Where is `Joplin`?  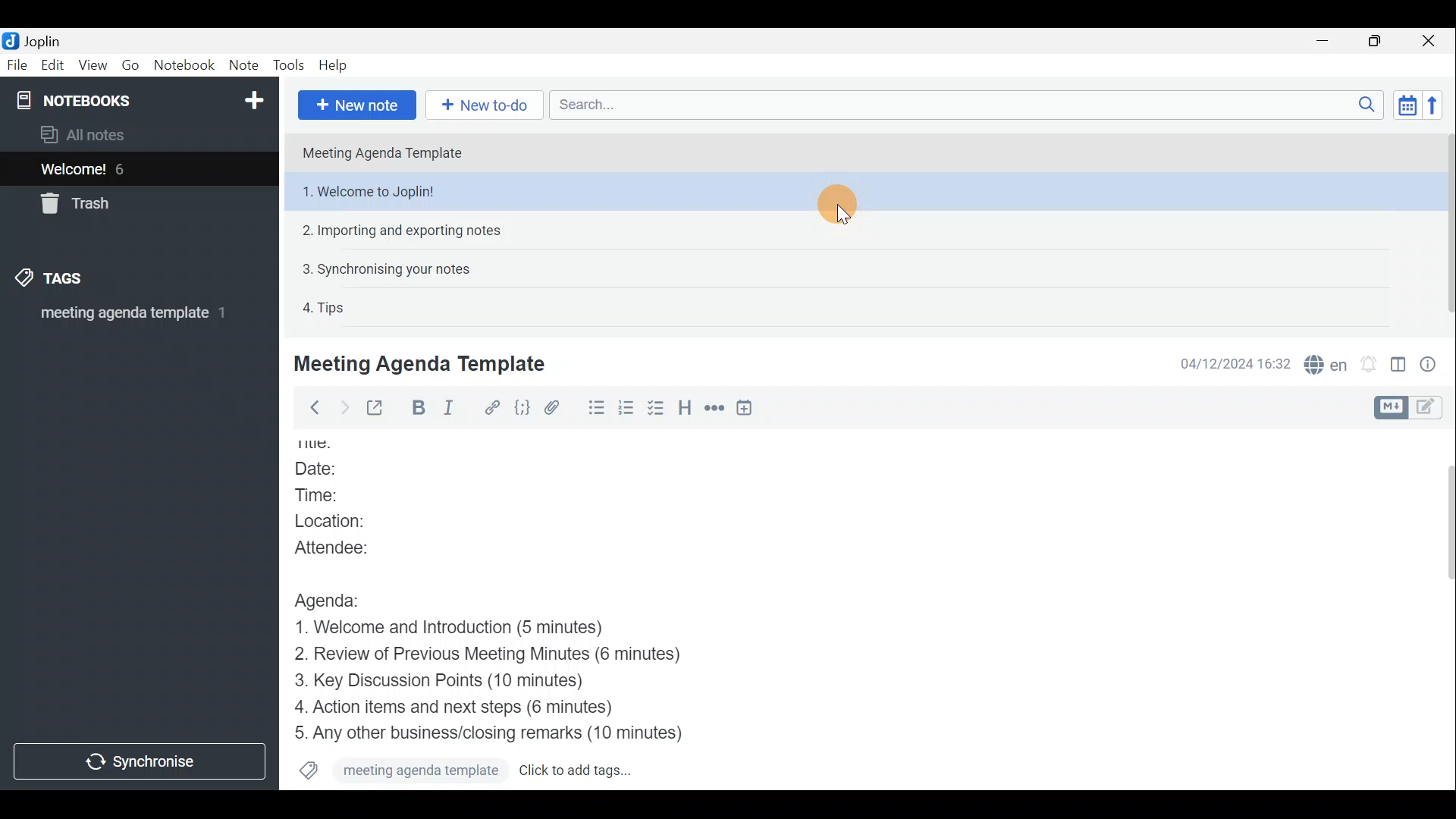 Joplin is located at coordinates (42, 40).